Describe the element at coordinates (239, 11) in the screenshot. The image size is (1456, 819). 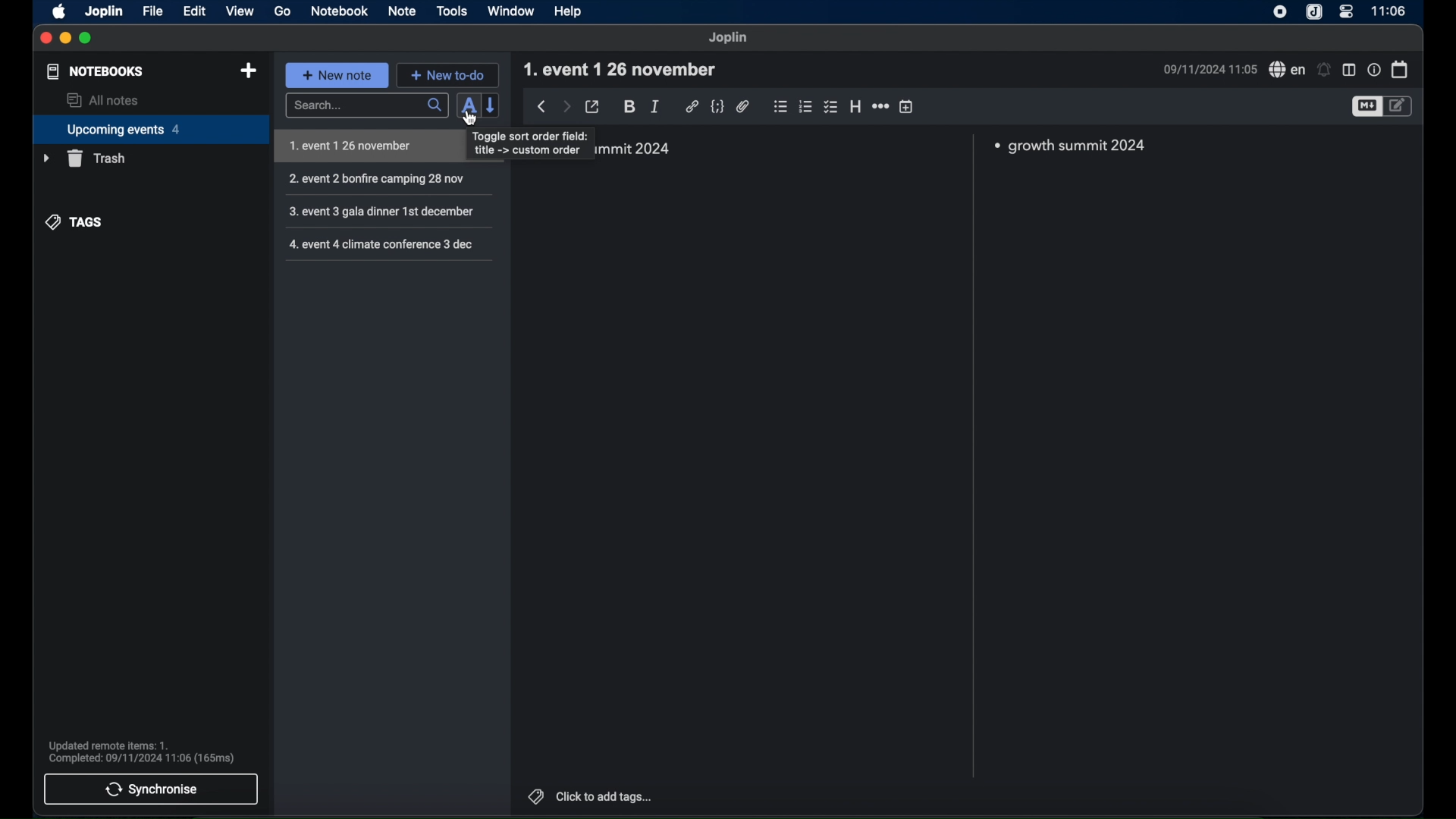
I see `view` at that location.